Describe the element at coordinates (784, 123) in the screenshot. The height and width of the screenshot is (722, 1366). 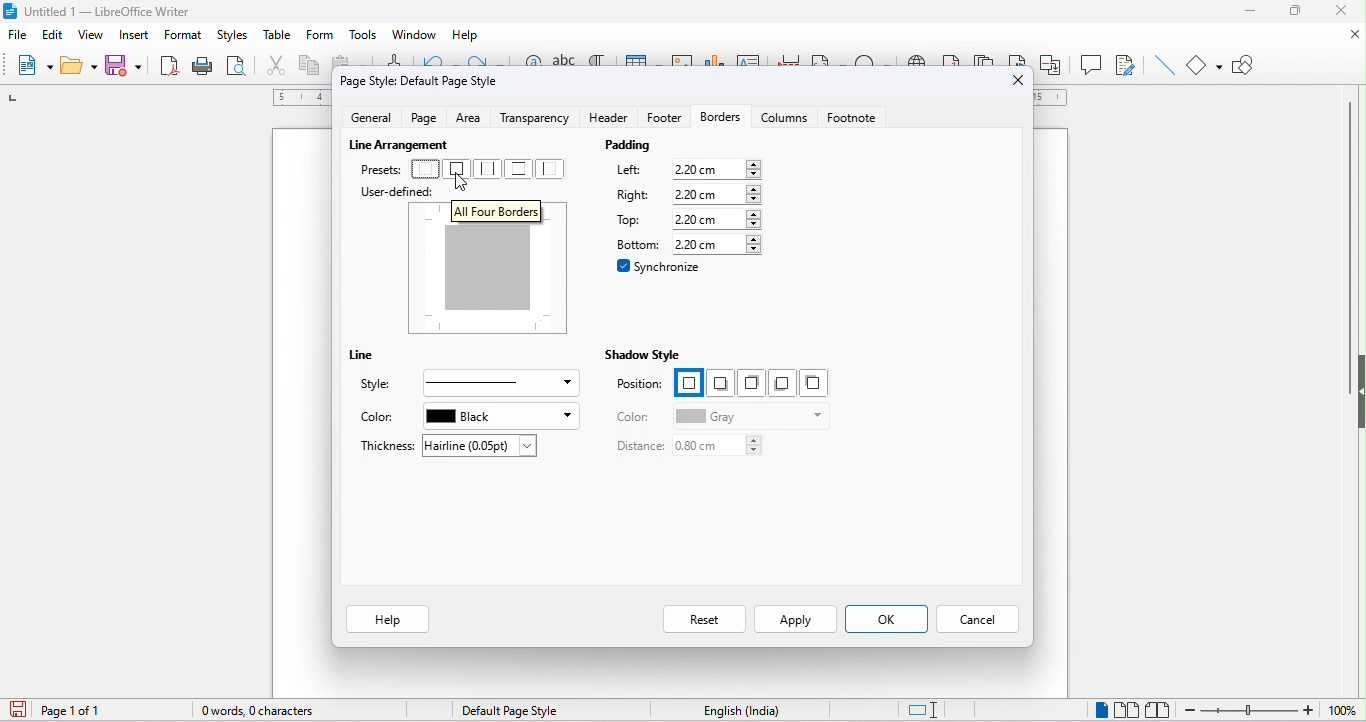
I see `columns` at that location.